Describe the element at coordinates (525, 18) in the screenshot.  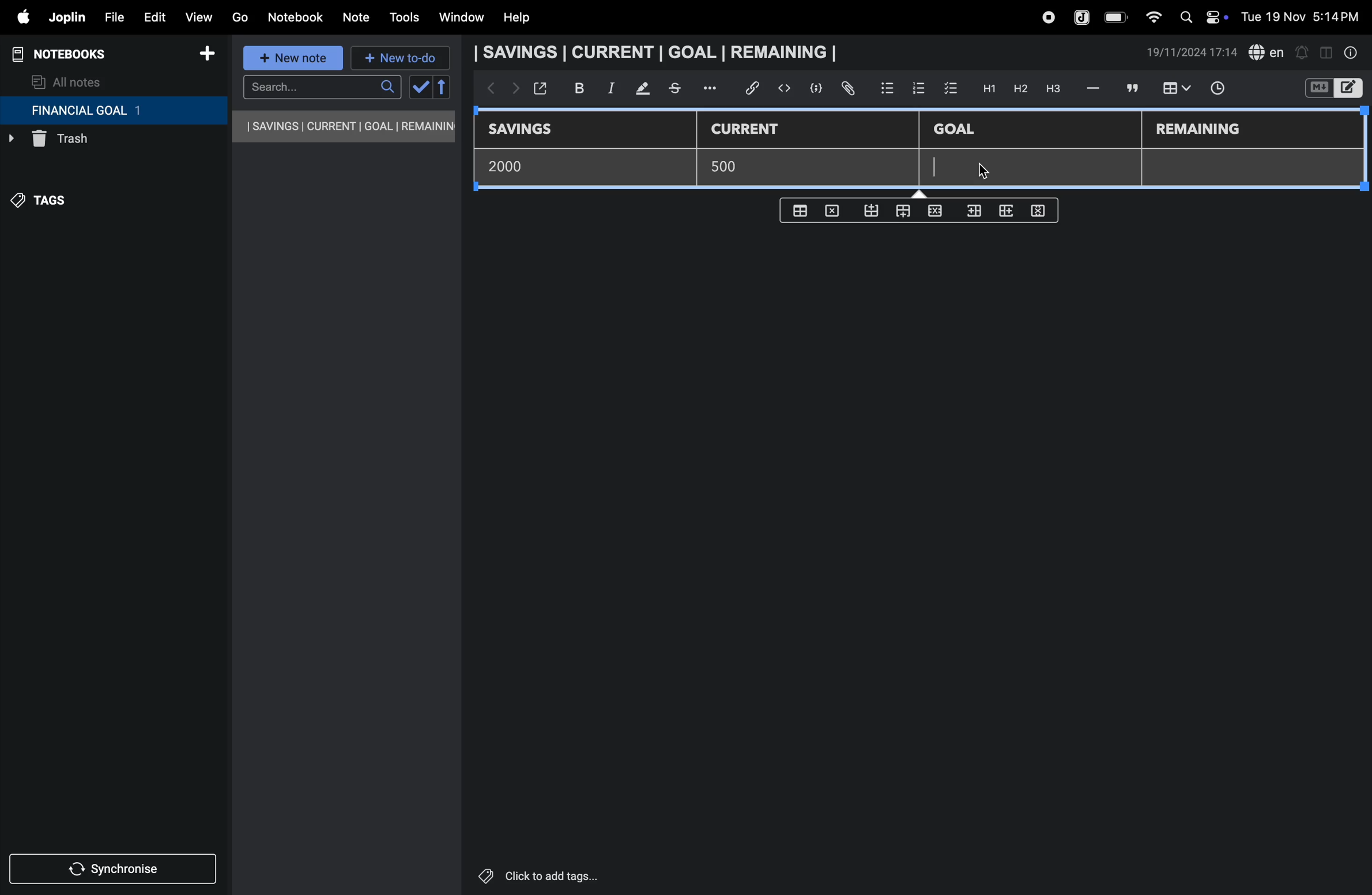
I see `help` at that location.